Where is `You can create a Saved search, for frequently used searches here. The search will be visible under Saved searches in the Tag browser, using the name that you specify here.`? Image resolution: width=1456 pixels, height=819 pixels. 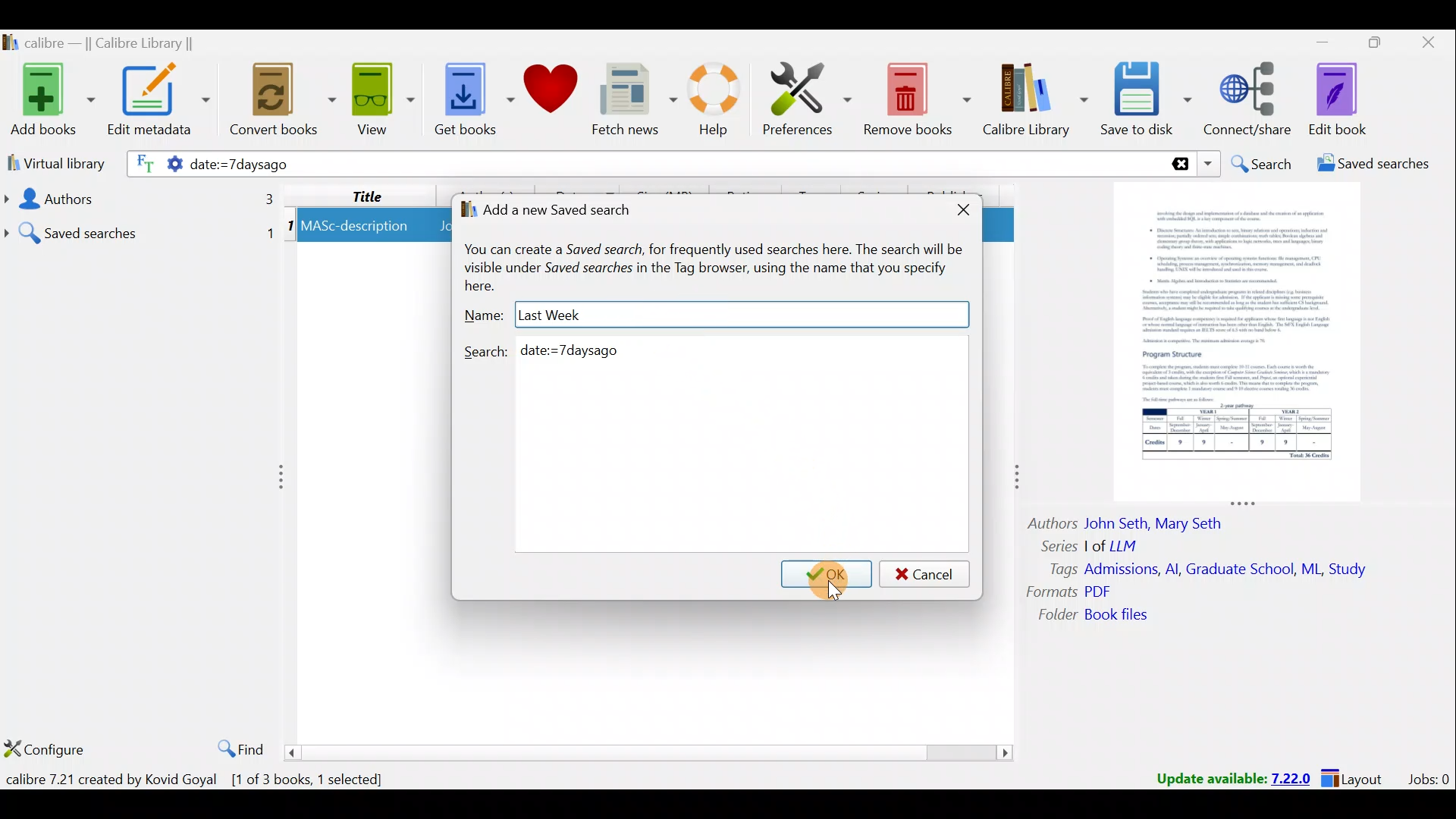
You can create a Saved search, for frequently used searches here. The search will be visible under Saved searches in the Tag browser, using the name that you specify here. is located at coordinates (723, 264).